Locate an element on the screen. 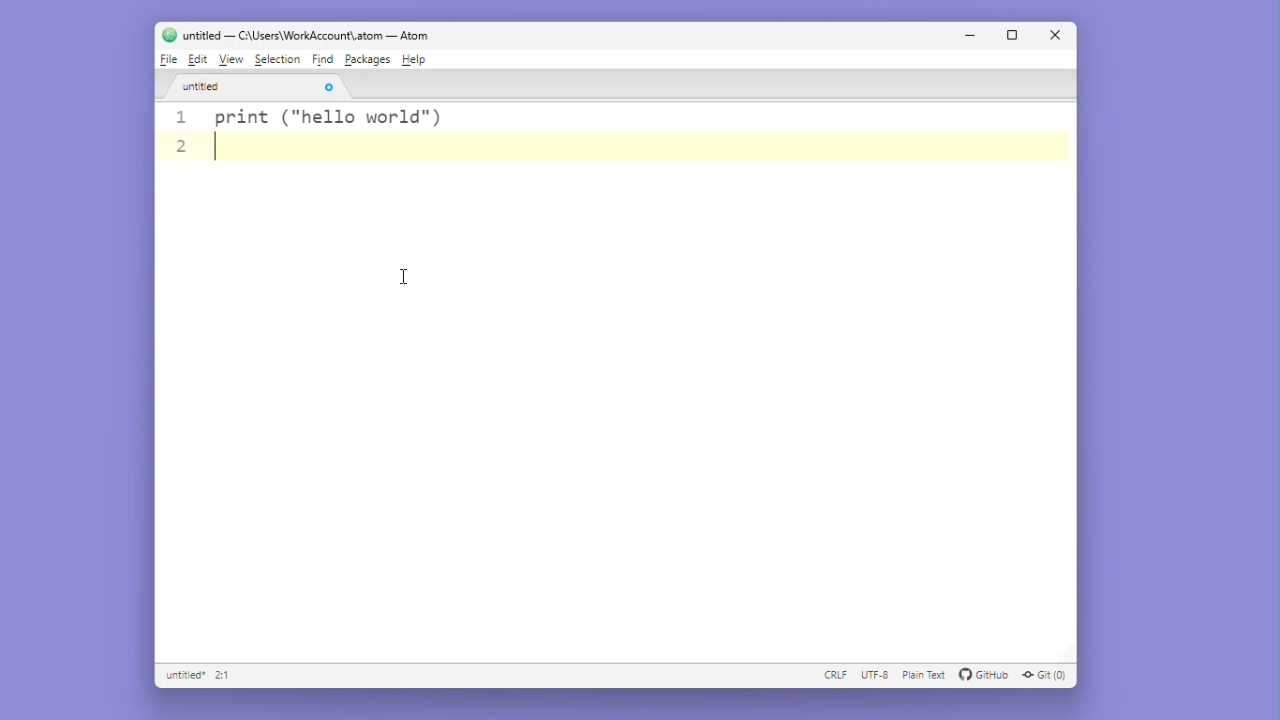  View is located at coordinates (233, 60).